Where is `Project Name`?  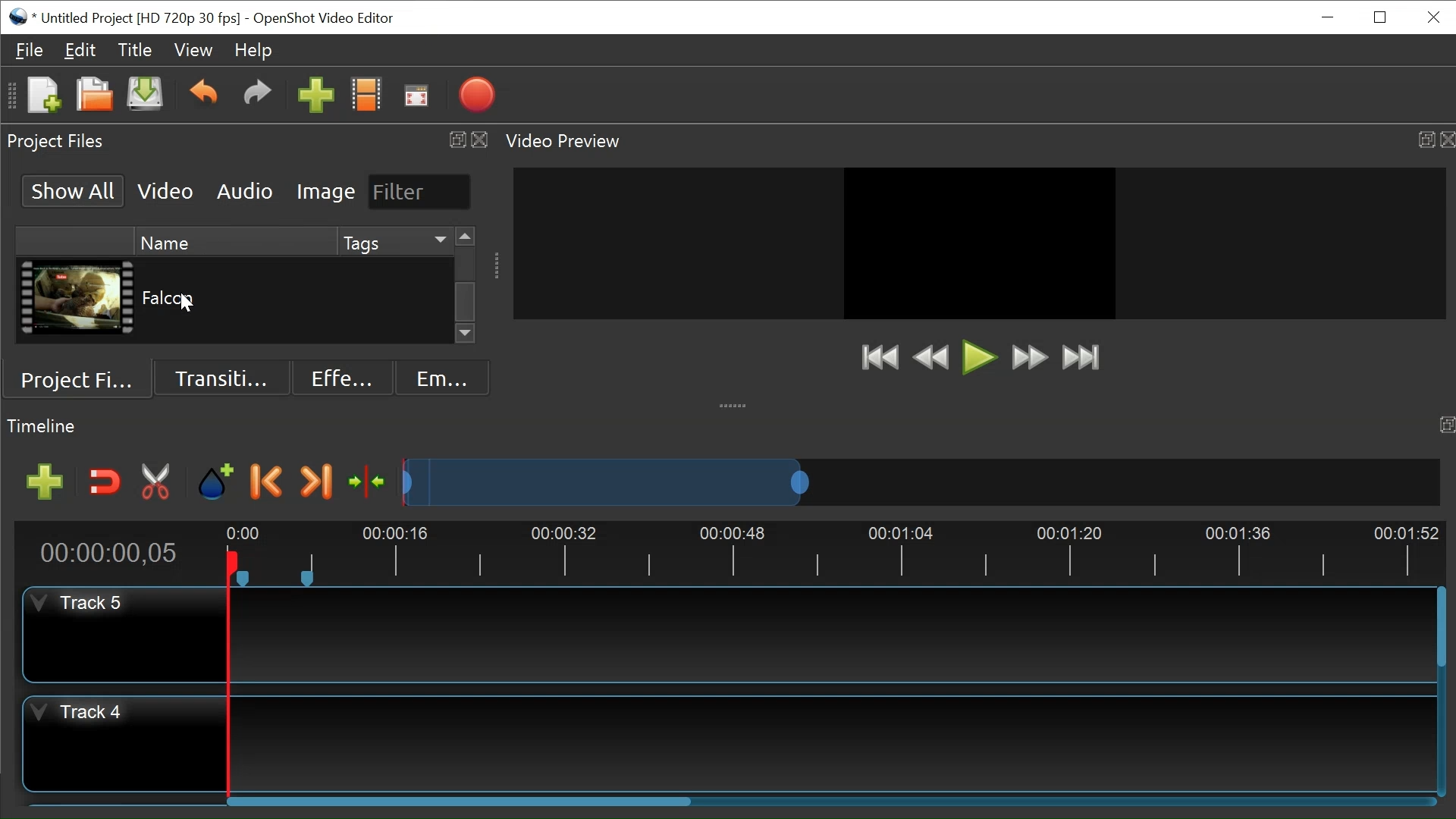
Project Name is located at coordinates (144, 17).